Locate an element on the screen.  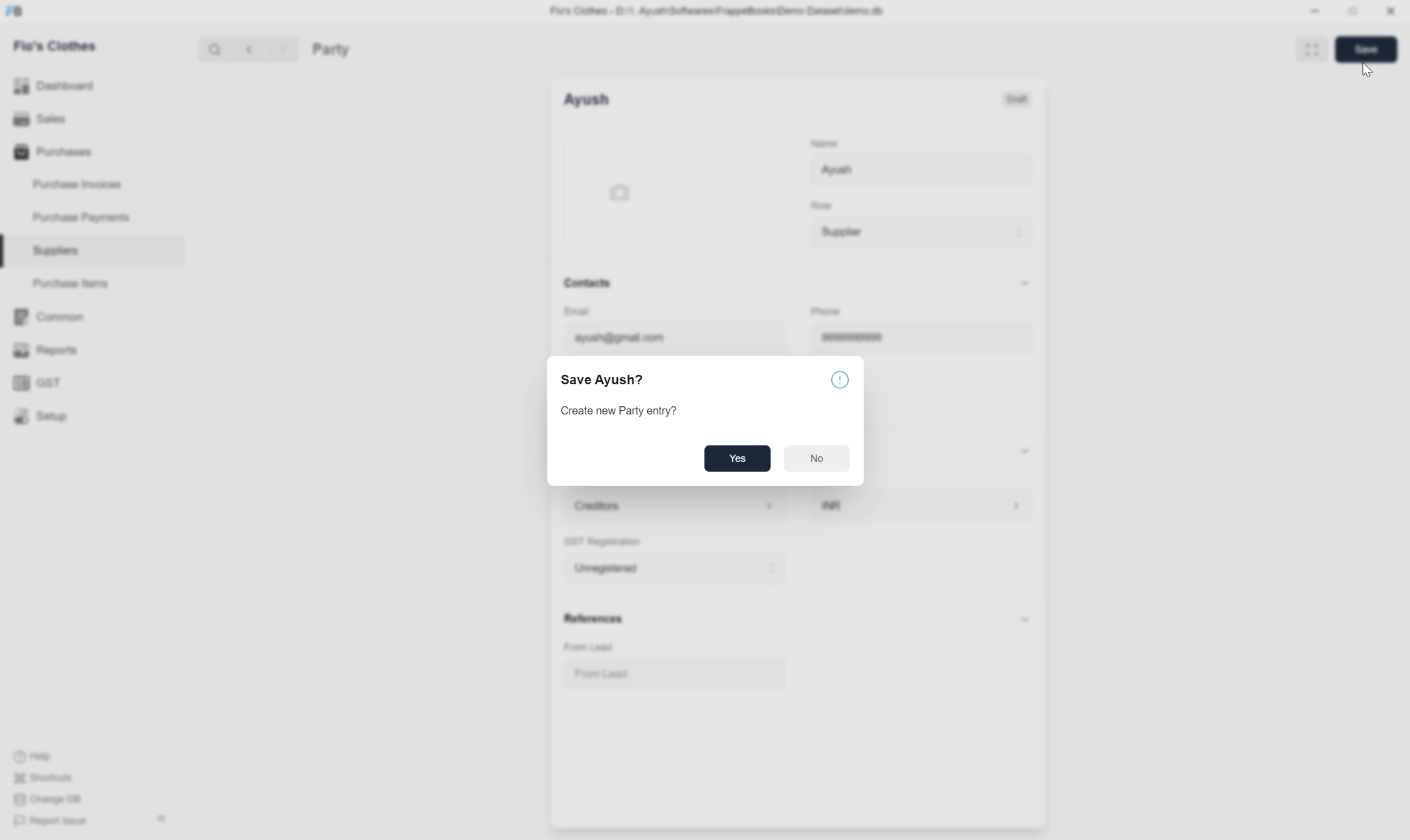
Reports is located at coordinates (92, 350).